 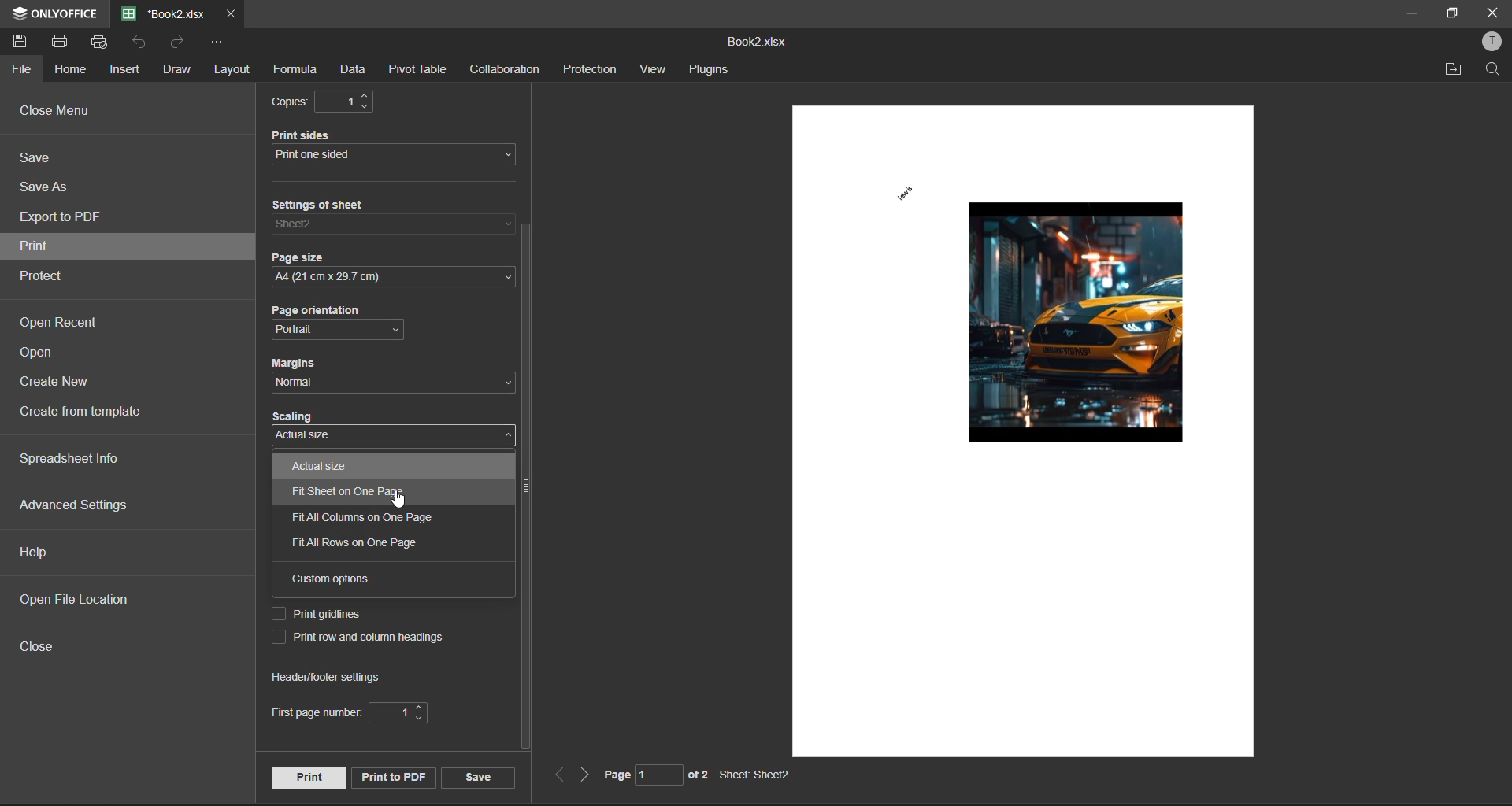 What do you see at coordinates (296, 70) in the screenshot?
I see `formula` at bounding box center [296, 70].